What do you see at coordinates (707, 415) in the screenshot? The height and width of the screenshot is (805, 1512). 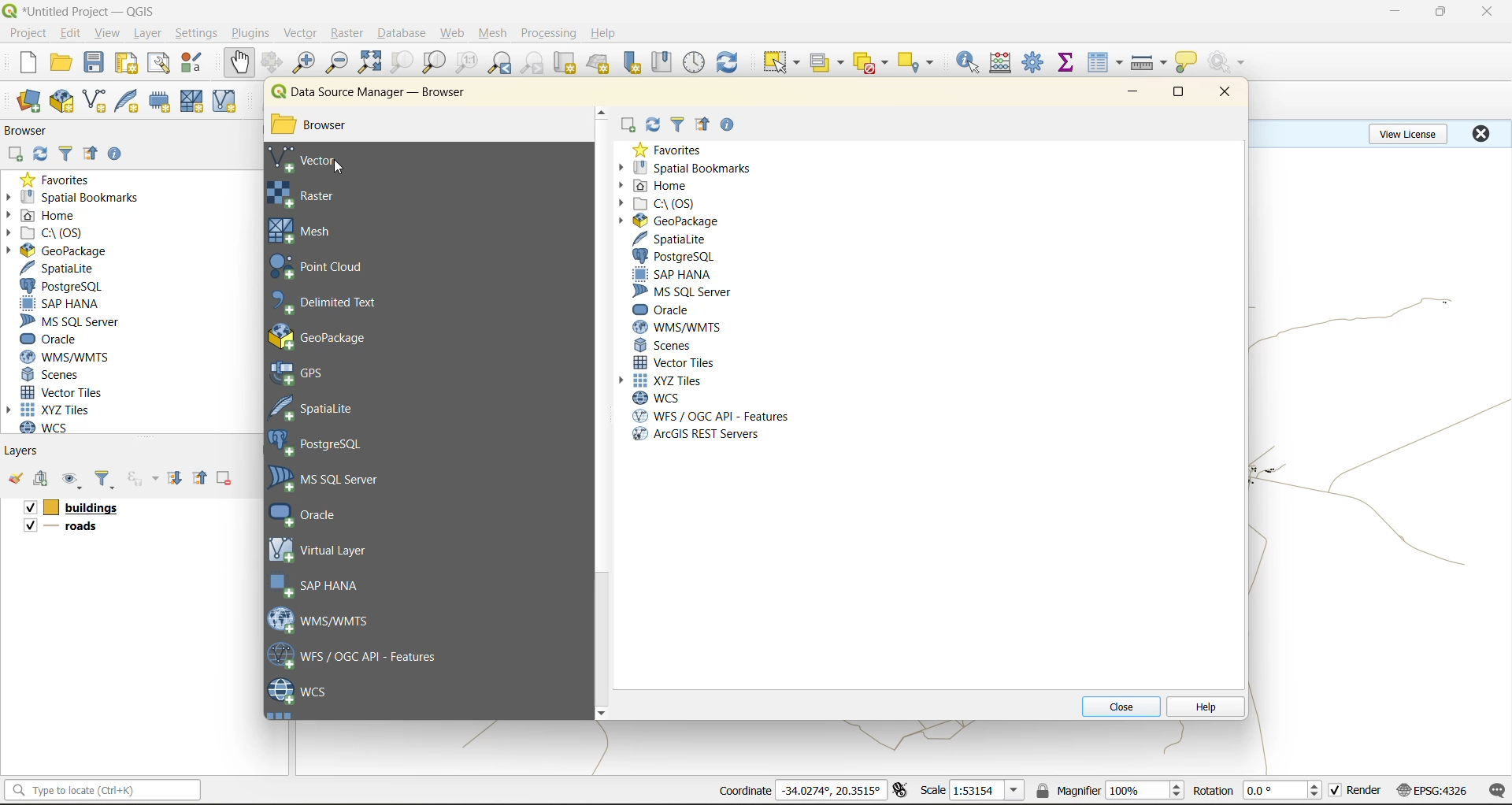 I see `wfs/ogc api features` at bounding box center [707, 415].